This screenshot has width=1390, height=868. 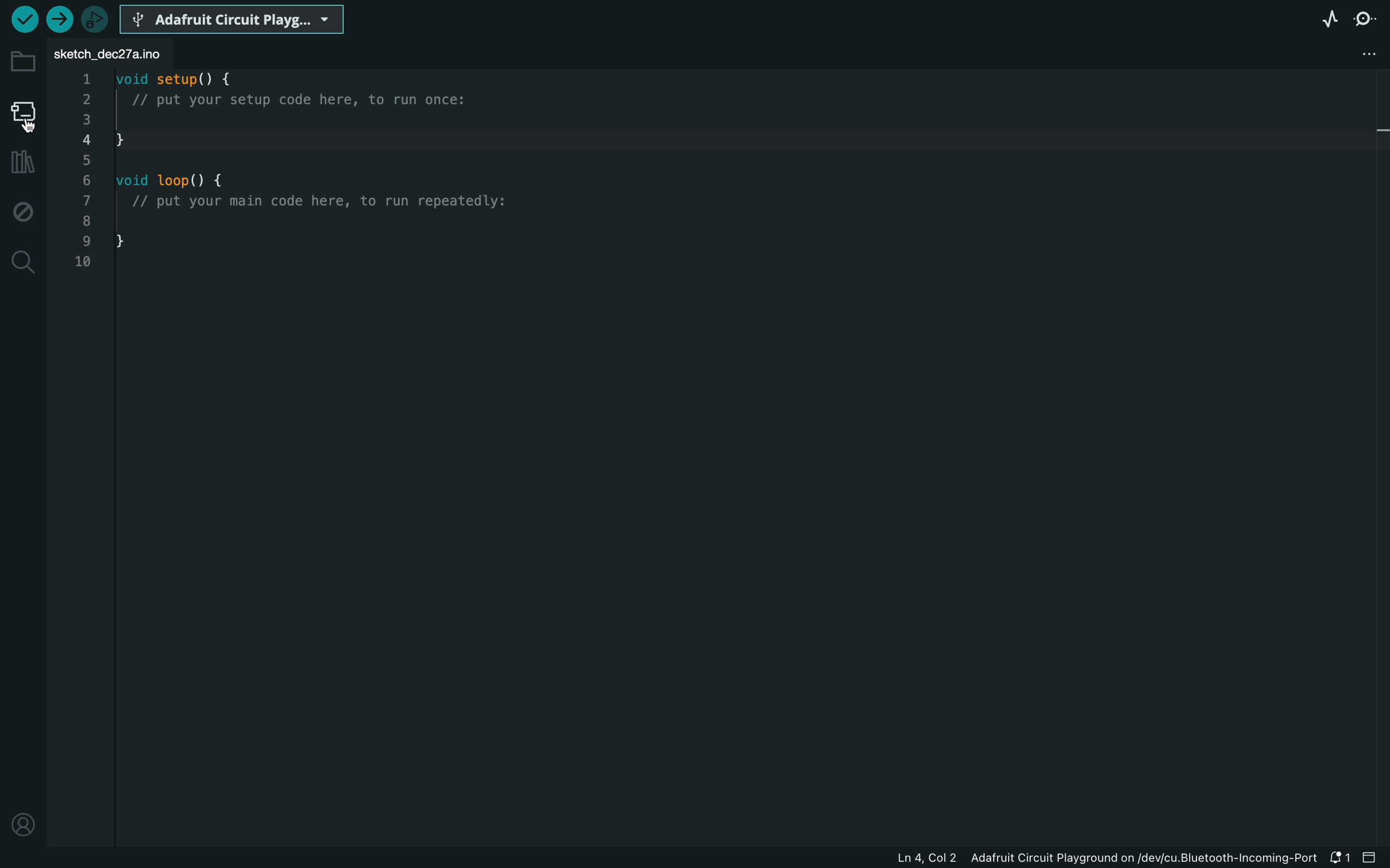 What do you see at coordinates (23, 824) in the screenshot?
I see `profile` at bounding box center [23, 824].